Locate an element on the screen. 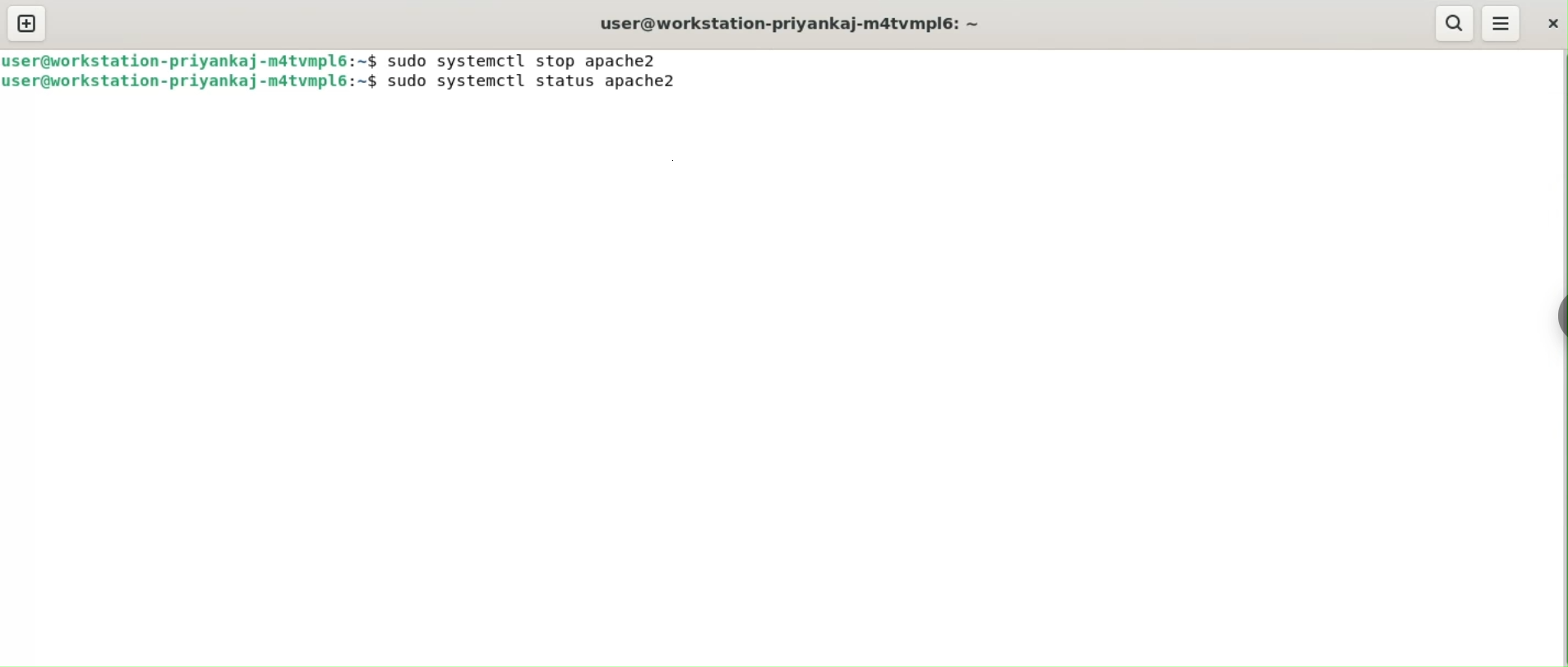 This screenshot has height=667, width=1568. menu is located at coordinates (1502, 25).